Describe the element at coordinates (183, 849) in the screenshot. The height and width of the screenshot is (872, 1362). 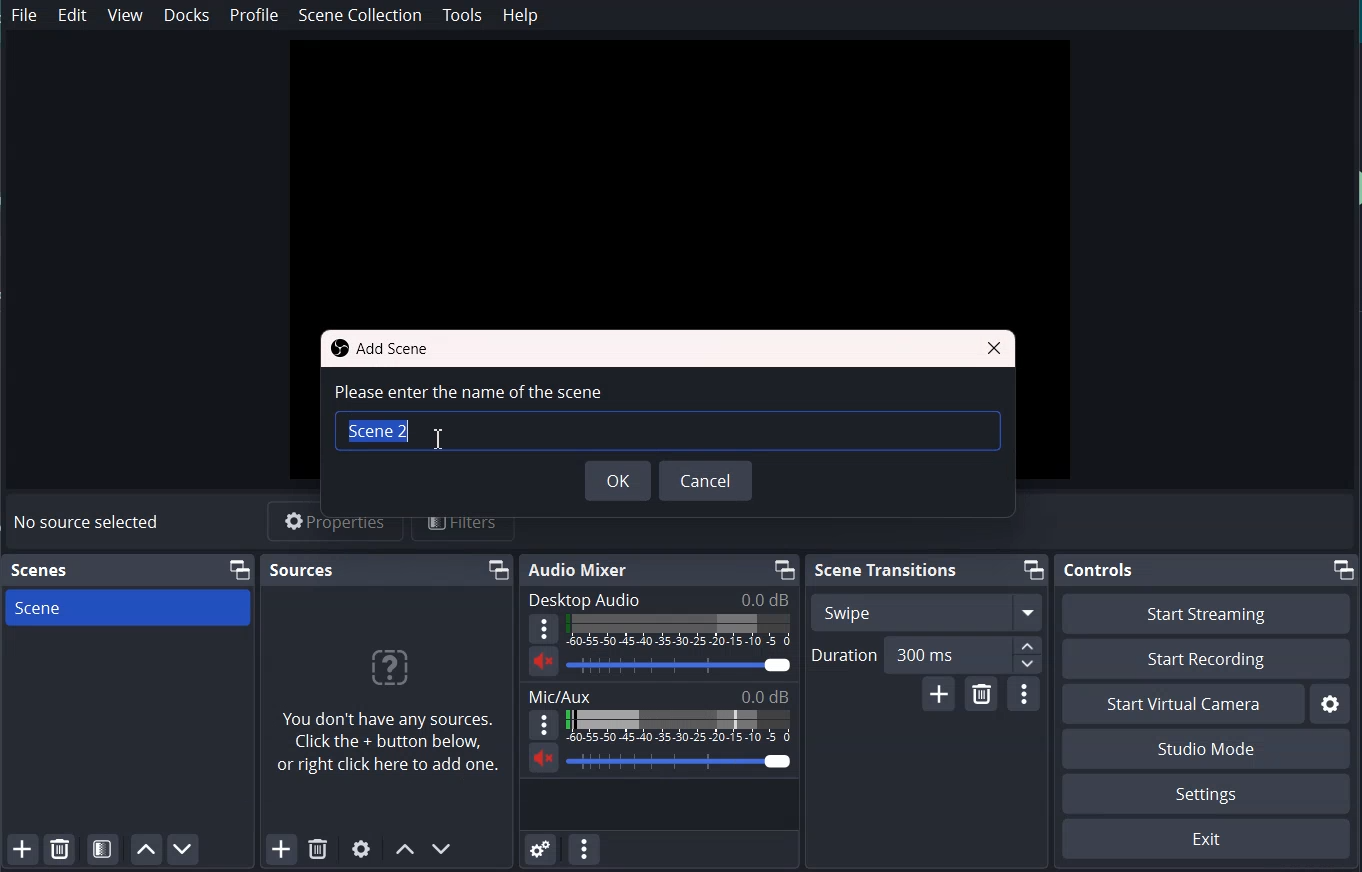
I see `Move Scene Down` at that location.